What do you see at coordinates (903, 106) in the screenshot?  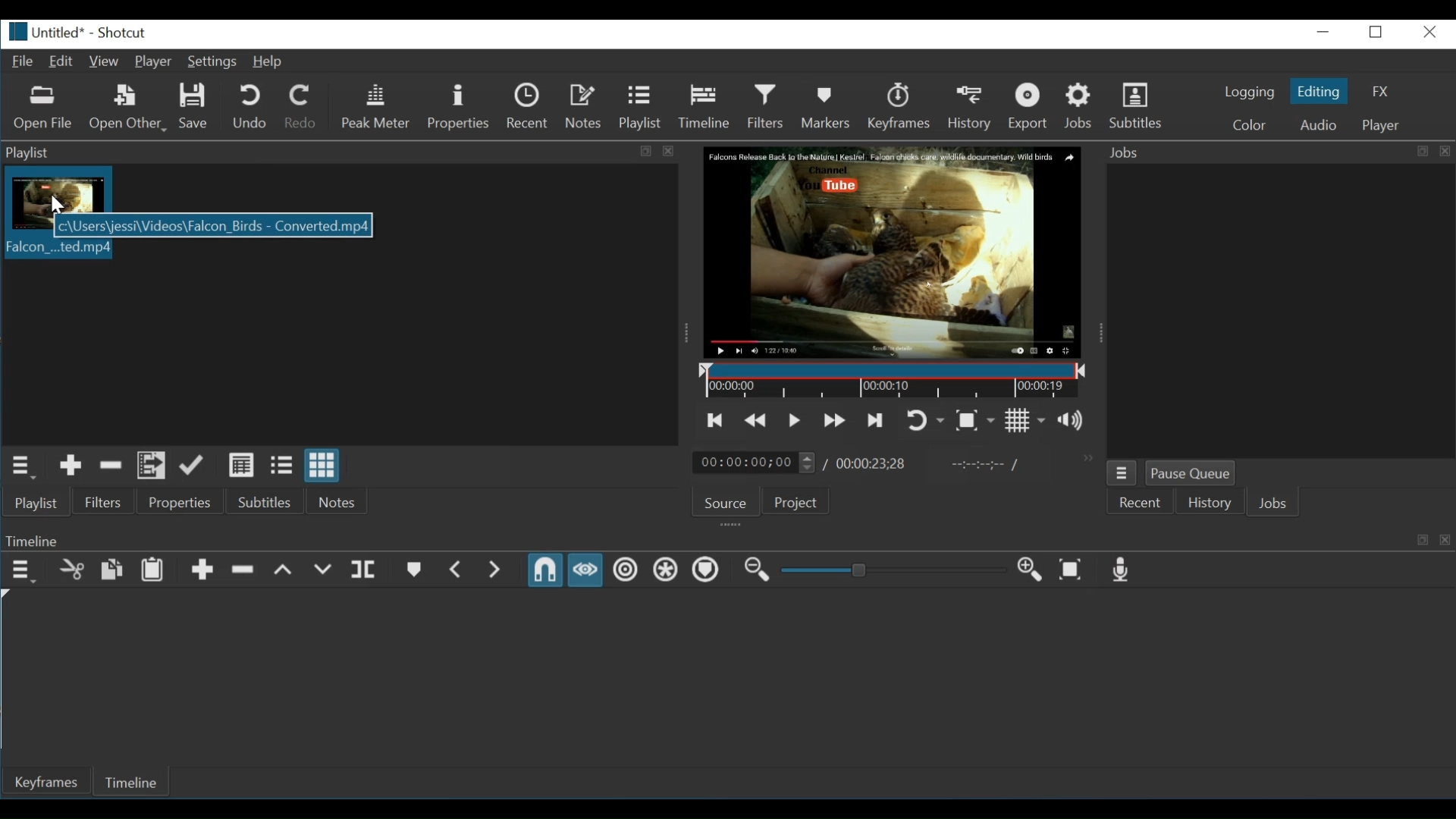 I see `Keyframes` at bounding box center [903, 106].